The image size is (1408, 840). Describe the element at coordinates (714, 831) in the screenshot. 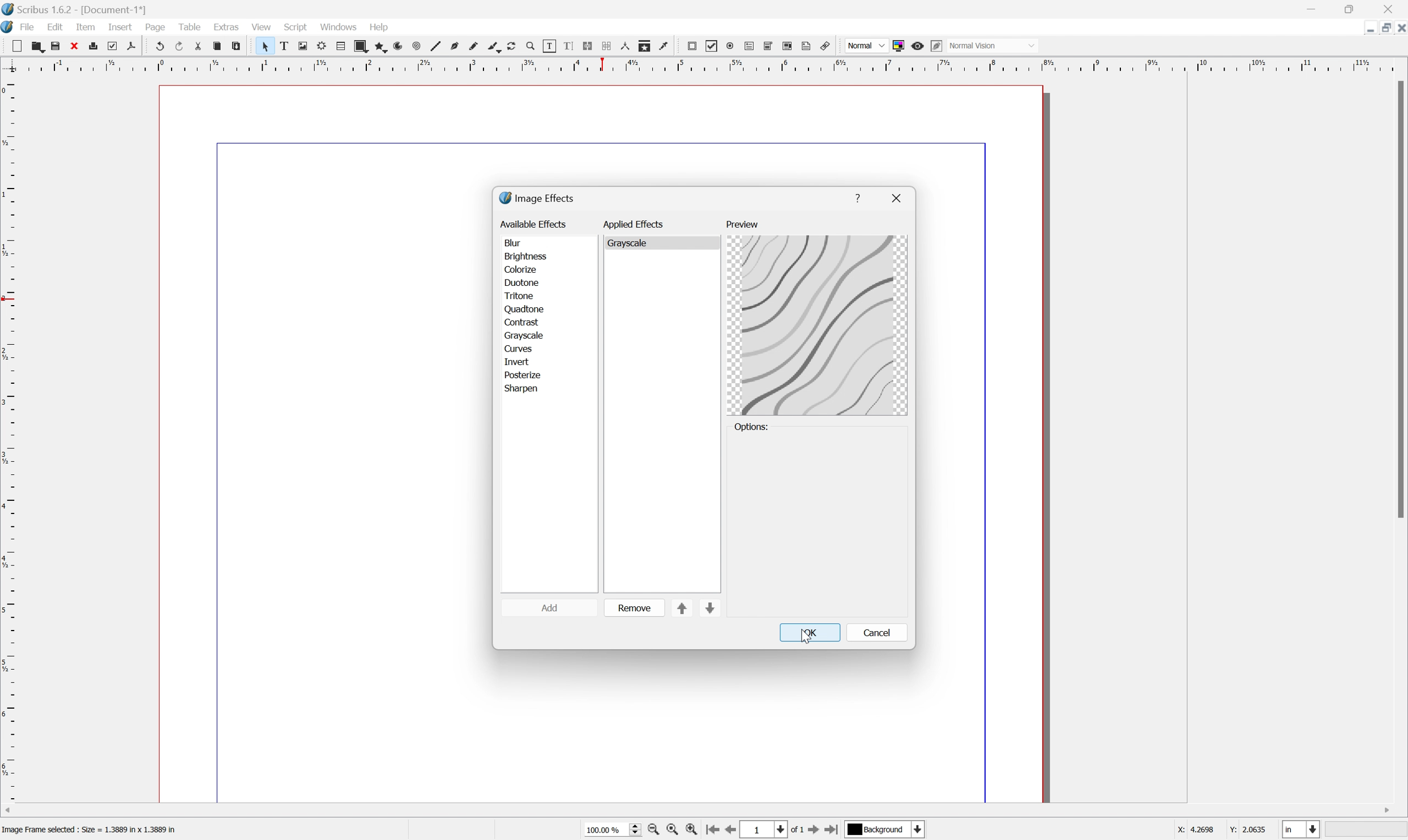

I see `Go to the first page` at that location.